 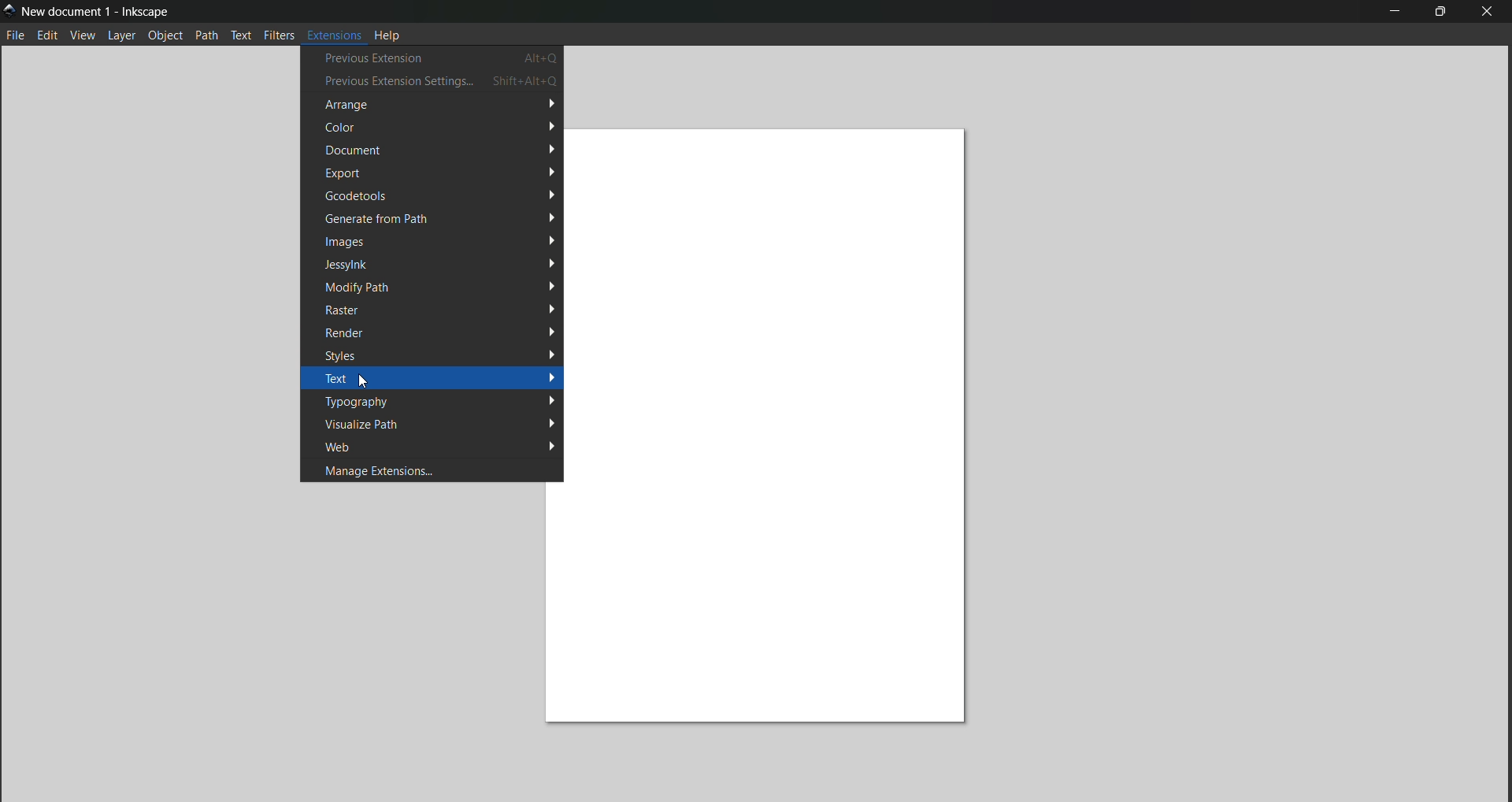 What do you see at coordinates (439, 401) in the screenshot?
I see `typography` at bounding box center [439, 401].